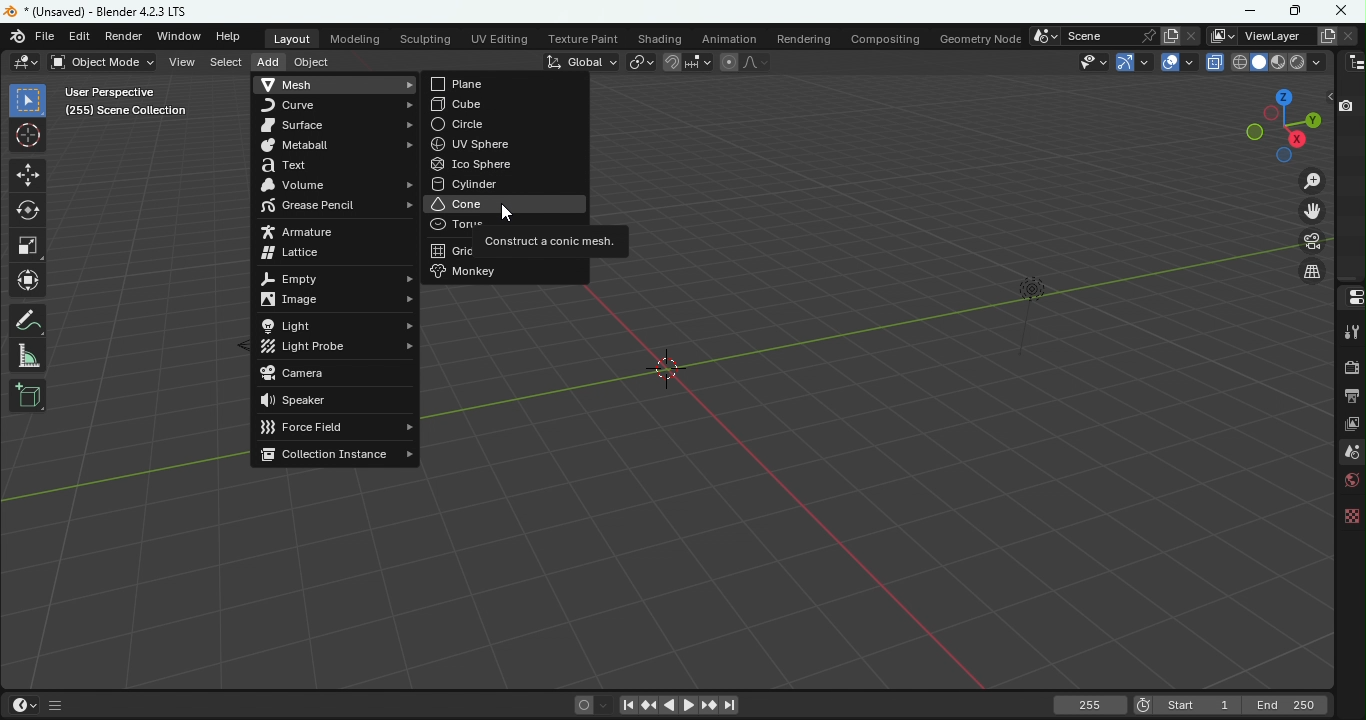 The height and width of the screenshot is (720, 1366). I want to click on Curve, so click(338, 105).